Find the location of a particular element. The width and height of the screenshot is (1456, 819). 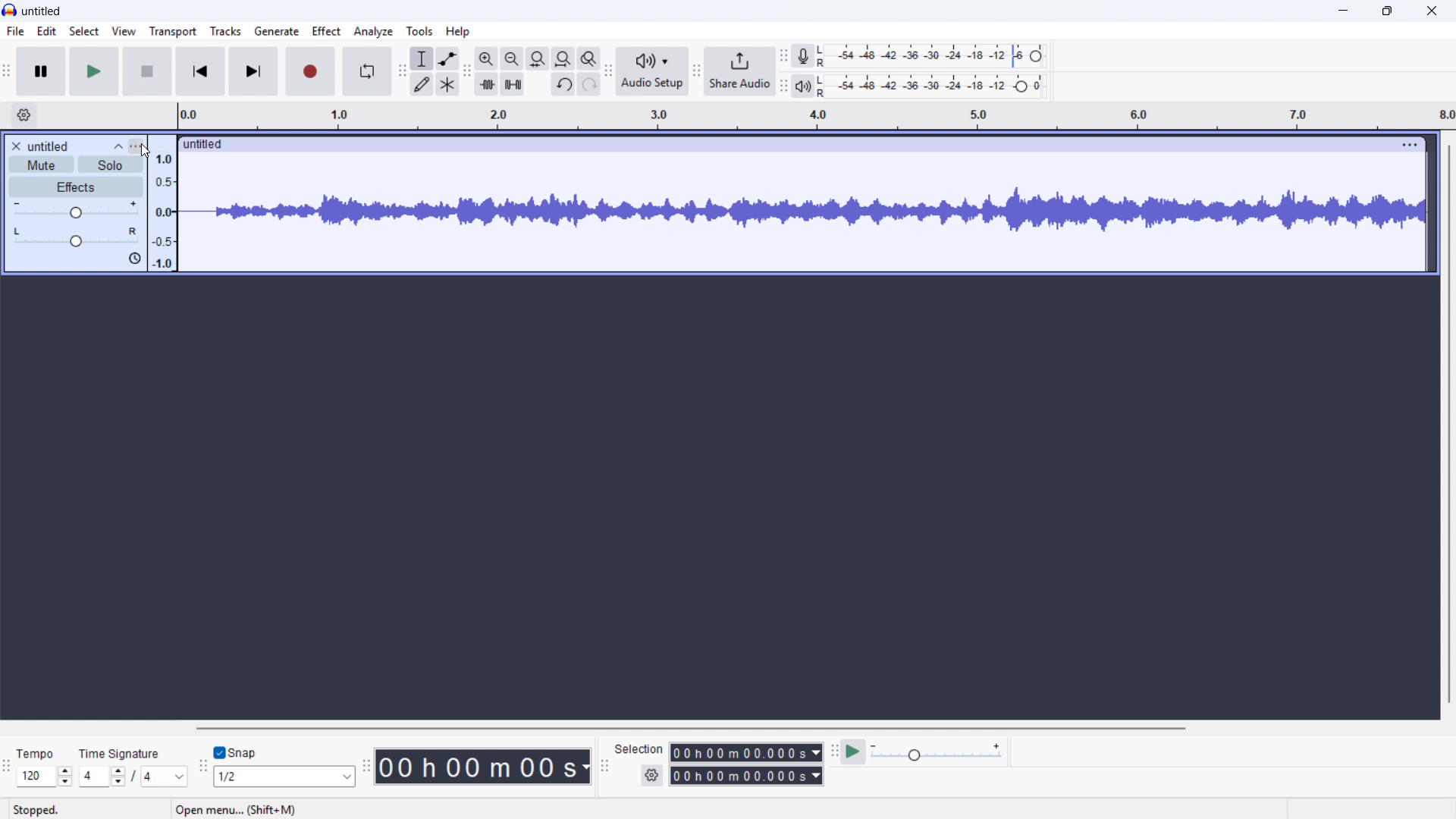

Analyse  is located at coordinates (372, 31).